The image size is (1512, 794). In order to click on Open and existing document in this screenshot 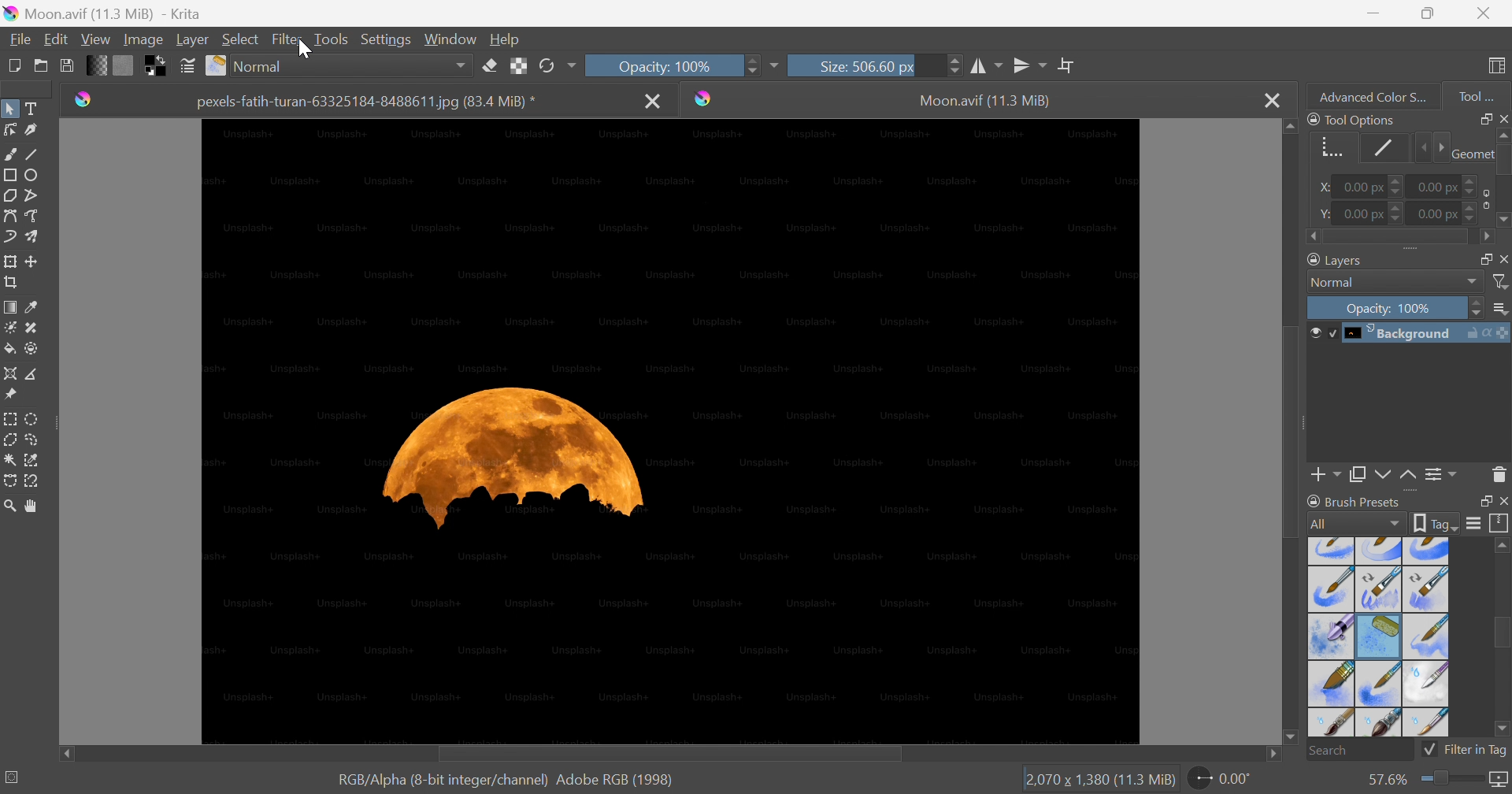, I will do `click(42, 65)`.